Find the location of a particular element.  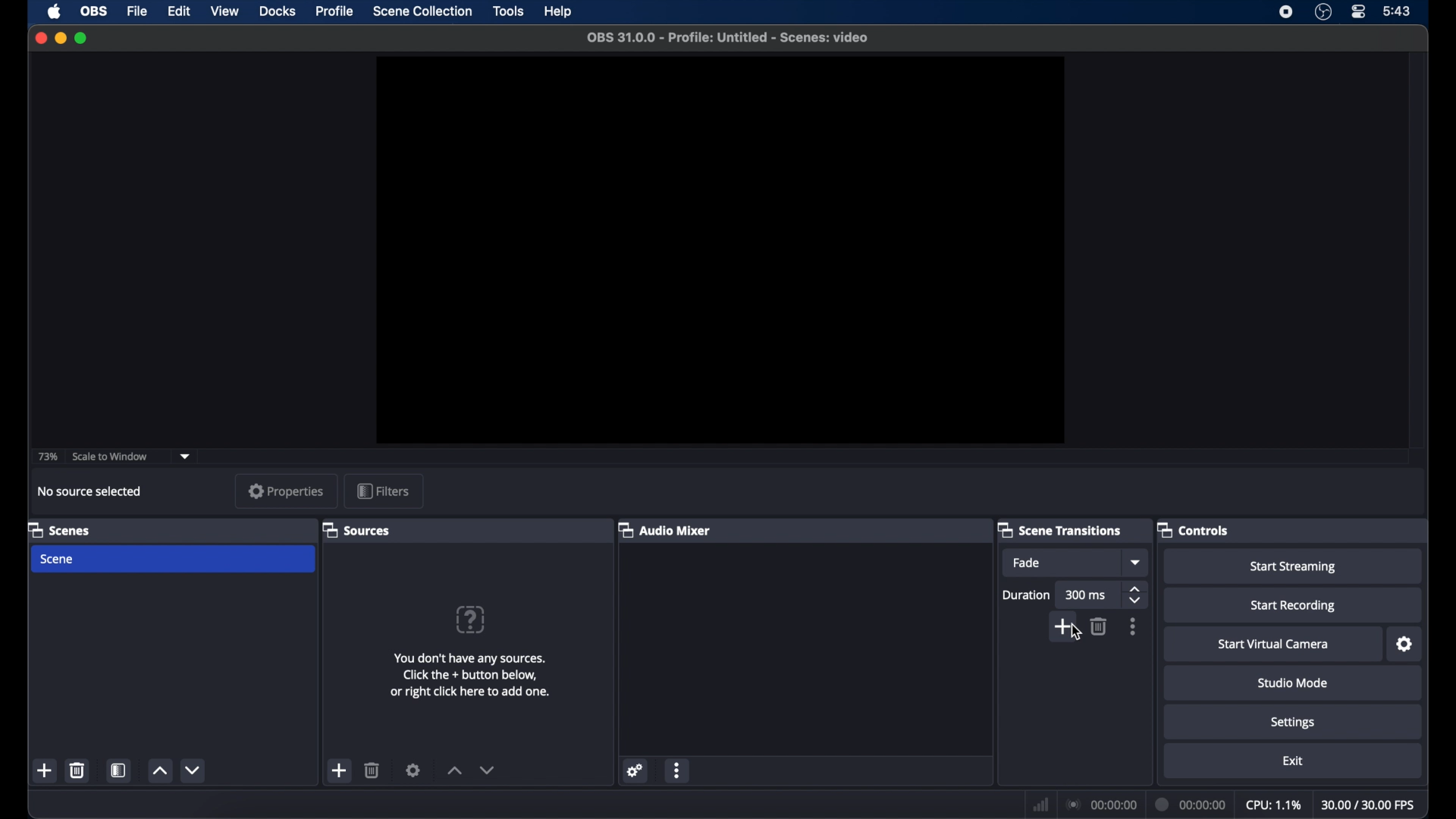

tools is located at coordinates (508, 11).